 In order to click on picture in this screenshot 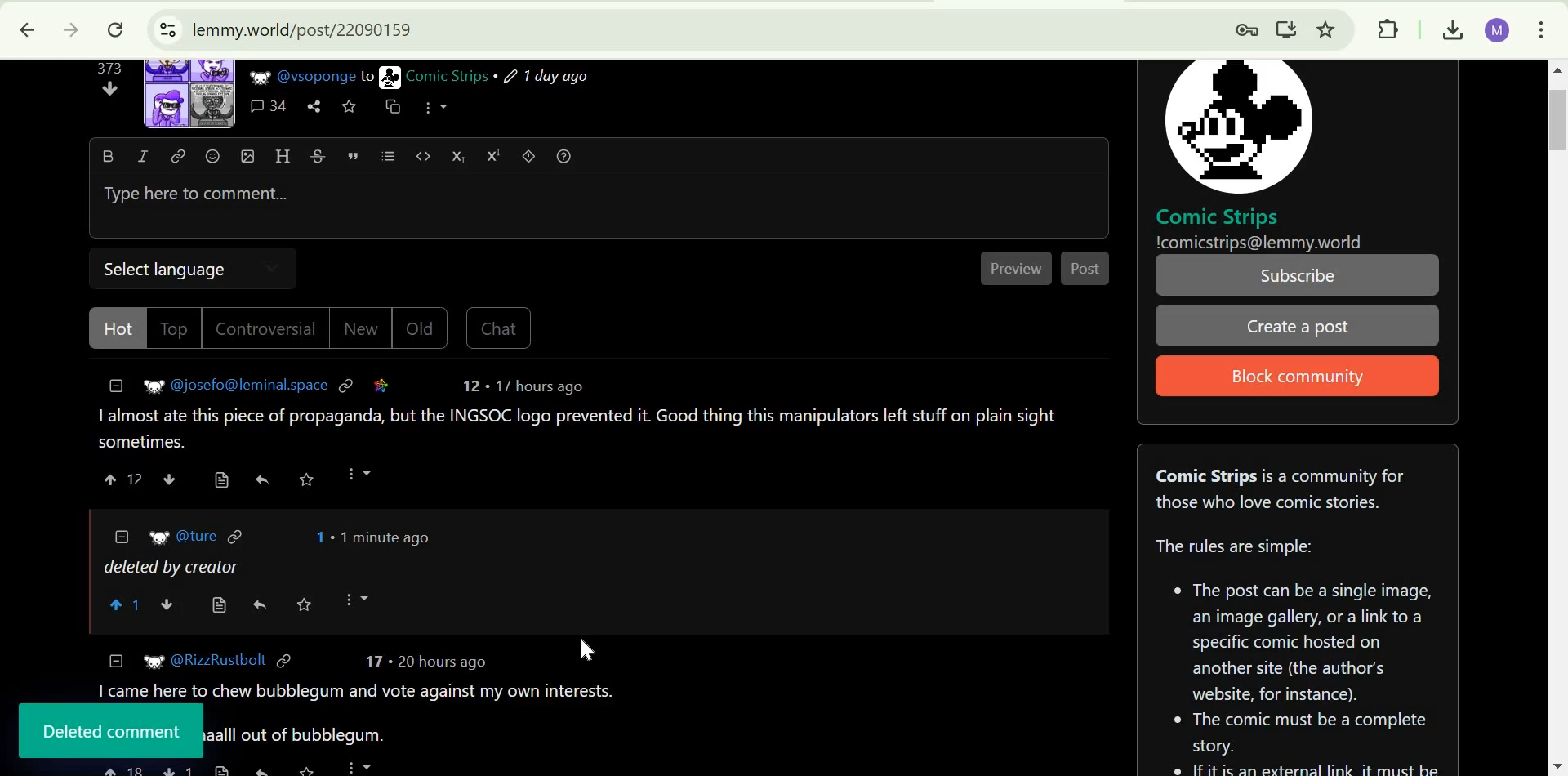, I will do `click(1237, 125)`.